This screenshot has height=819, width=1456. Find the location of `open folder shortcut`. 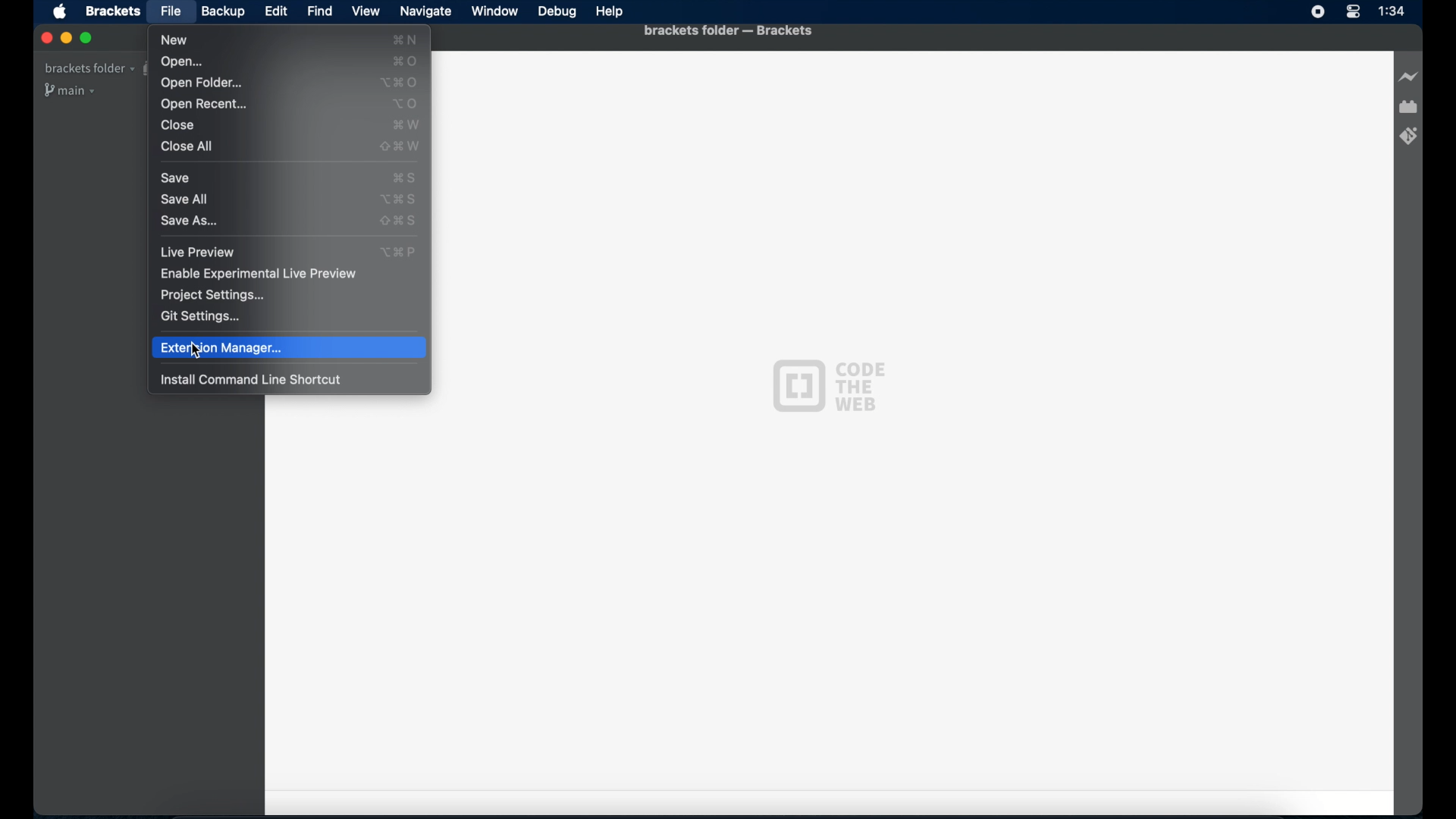

open folder shortcut is located at coordinates (400, 82).